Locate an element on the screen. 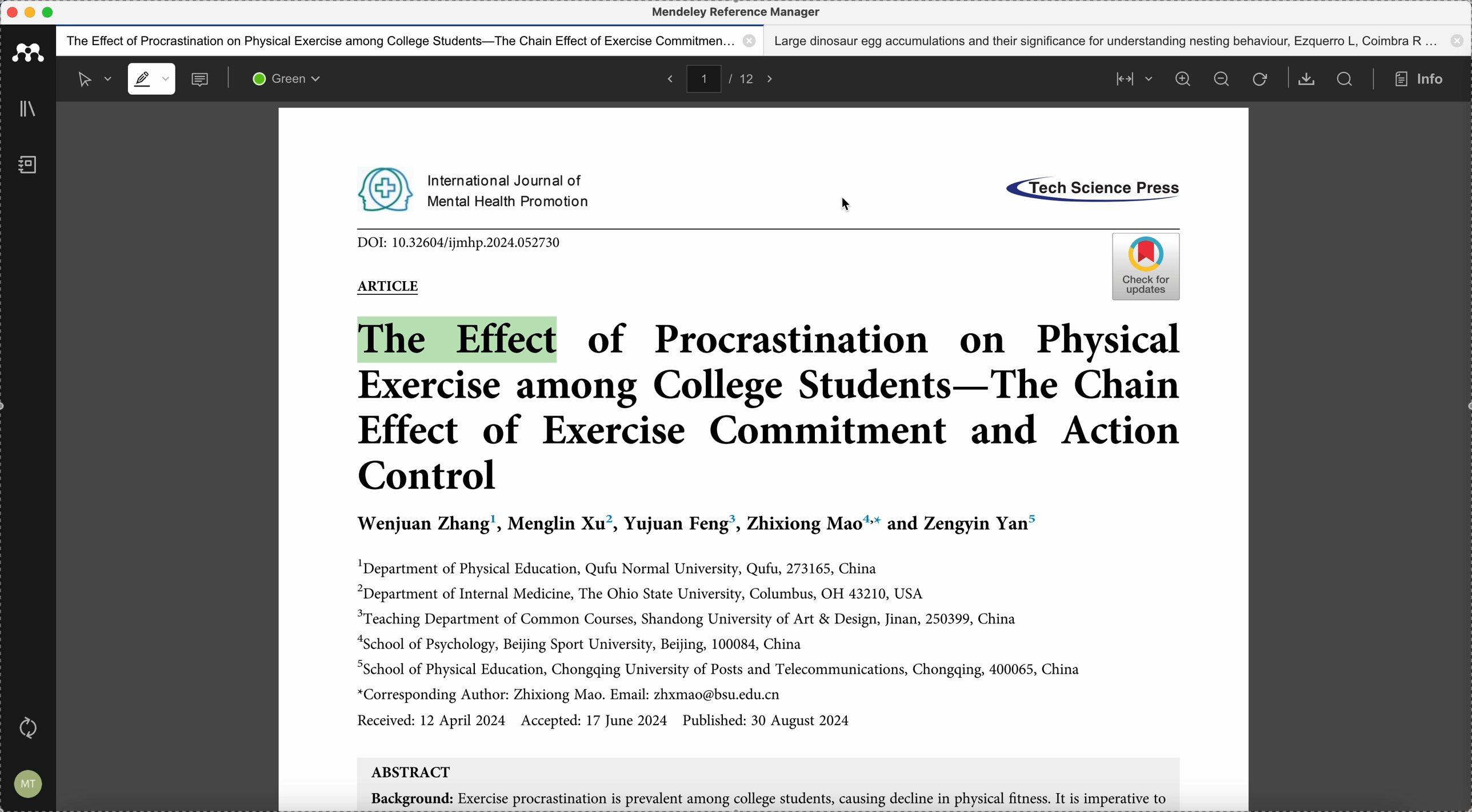 Image resolution: width=1472 pixels, height=812 pixels. library is located at coordinates (30, 110).